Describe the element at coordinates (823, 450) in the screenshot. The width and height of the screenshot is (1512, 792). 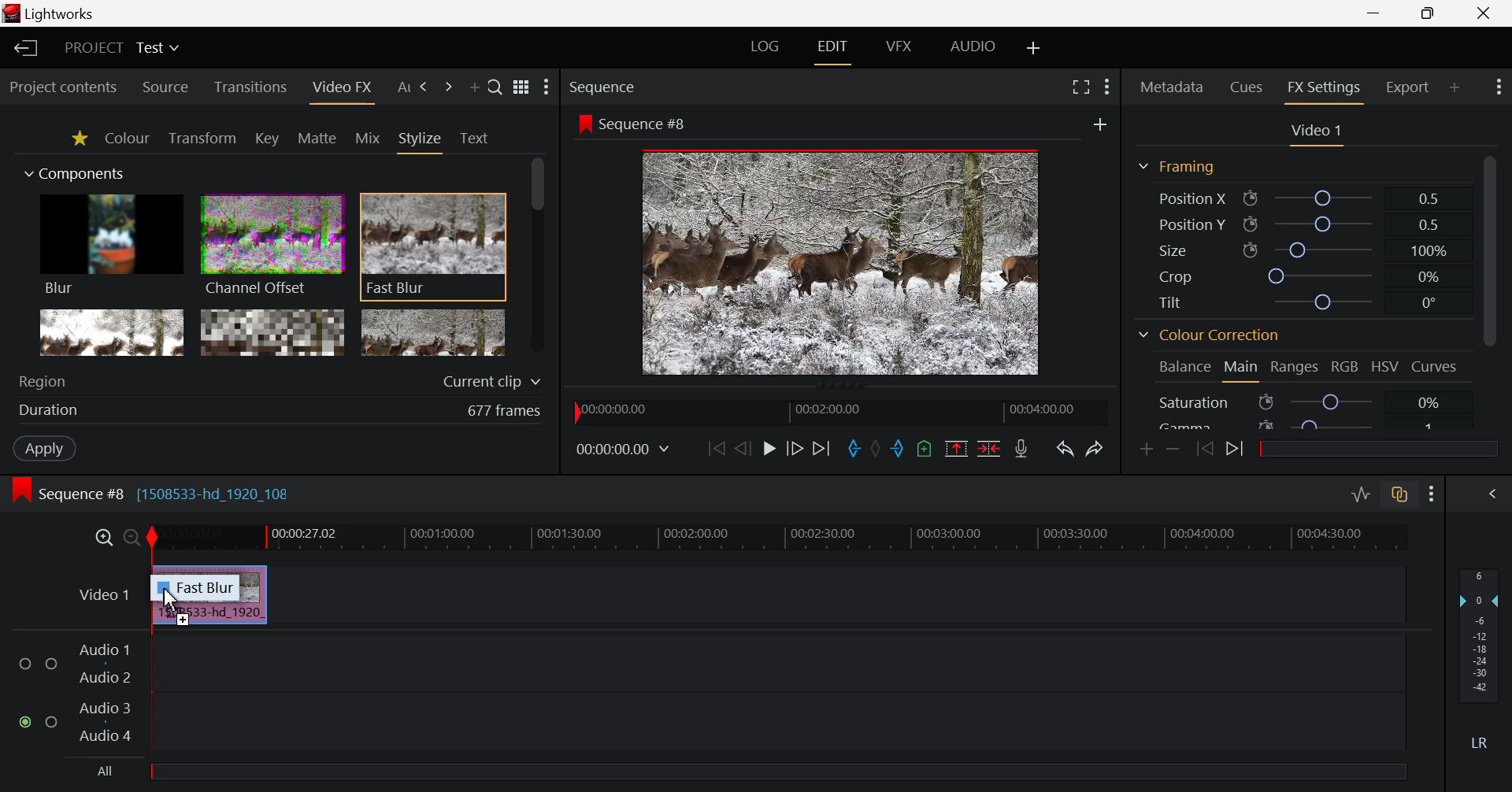
I see `To End` at that location.